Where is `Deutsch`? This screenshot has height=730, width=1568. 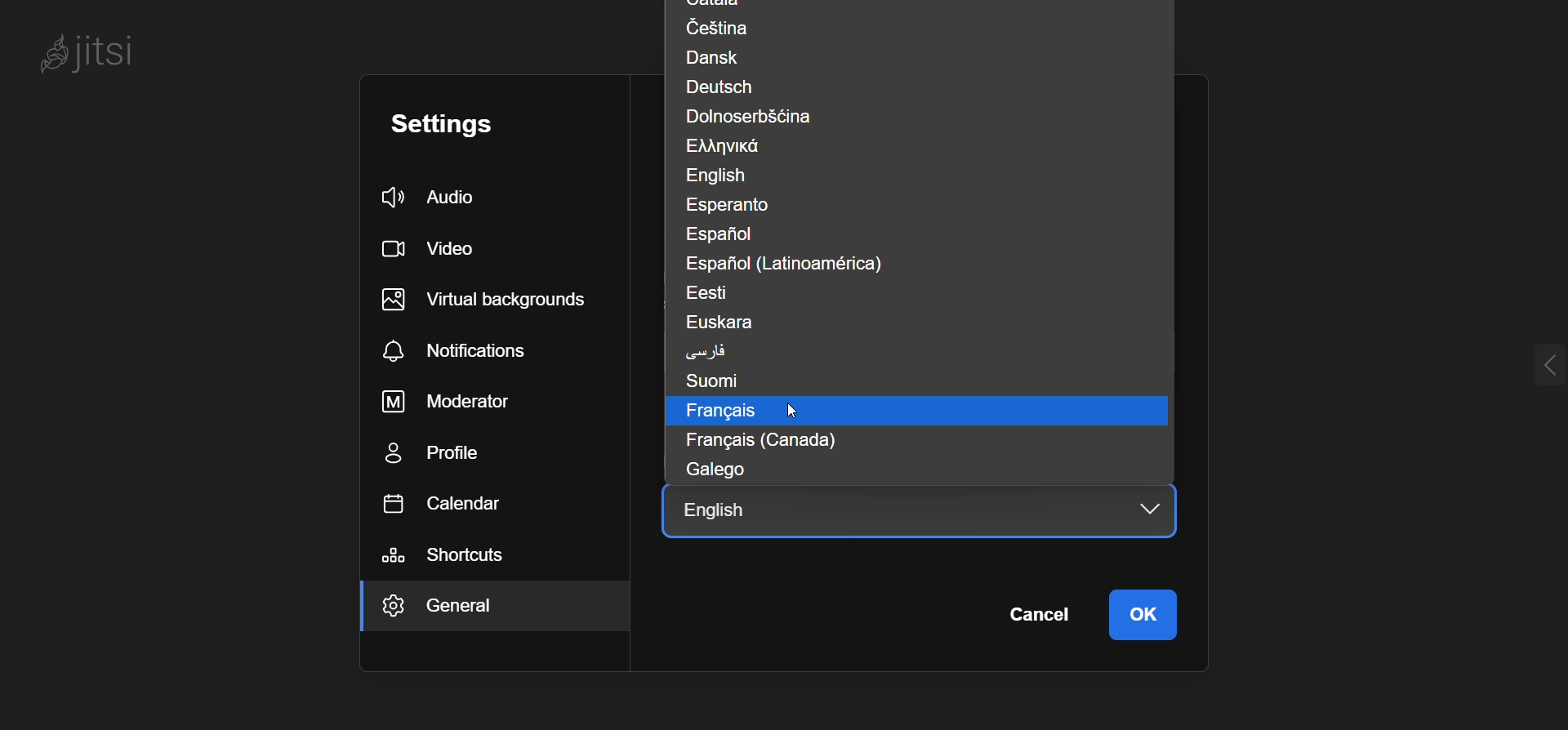
Deutsch is located at coordinates (724, 87).